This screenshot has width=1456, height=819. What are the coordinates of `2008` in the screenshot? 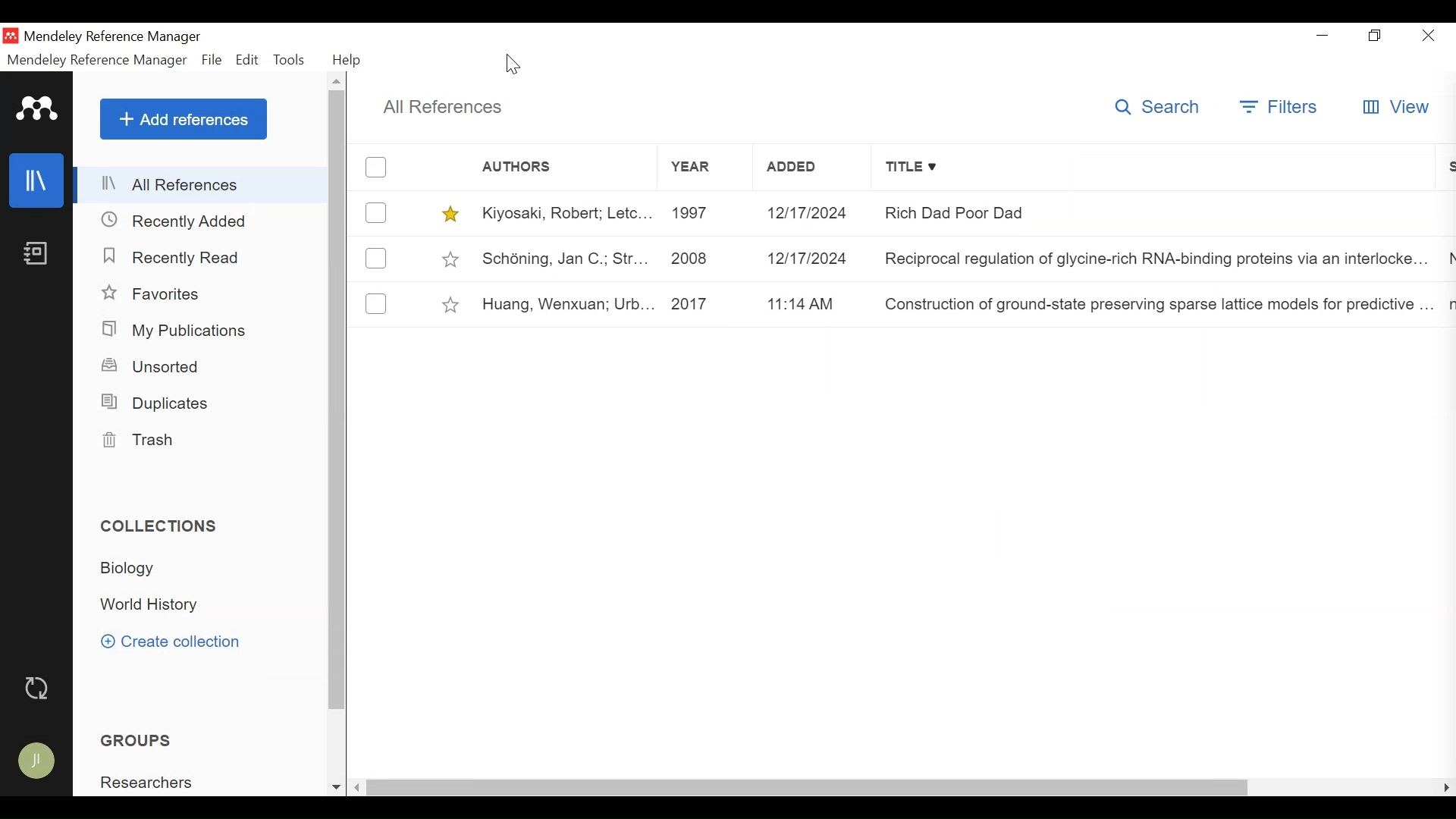 It's located at (693, 259).